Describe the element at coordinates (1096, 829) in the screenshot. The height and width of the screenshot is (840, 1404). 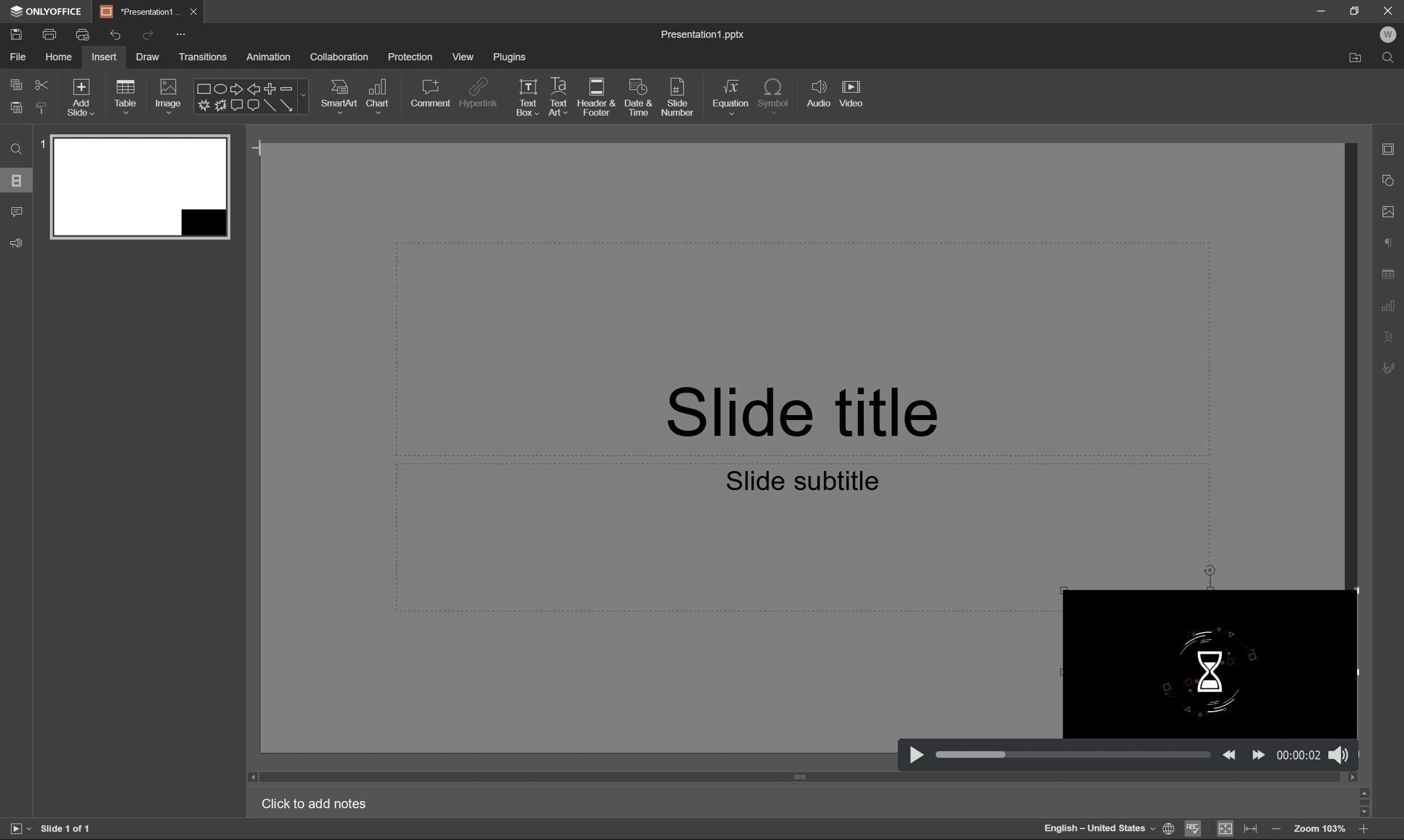
I see `English - United States` at that location.